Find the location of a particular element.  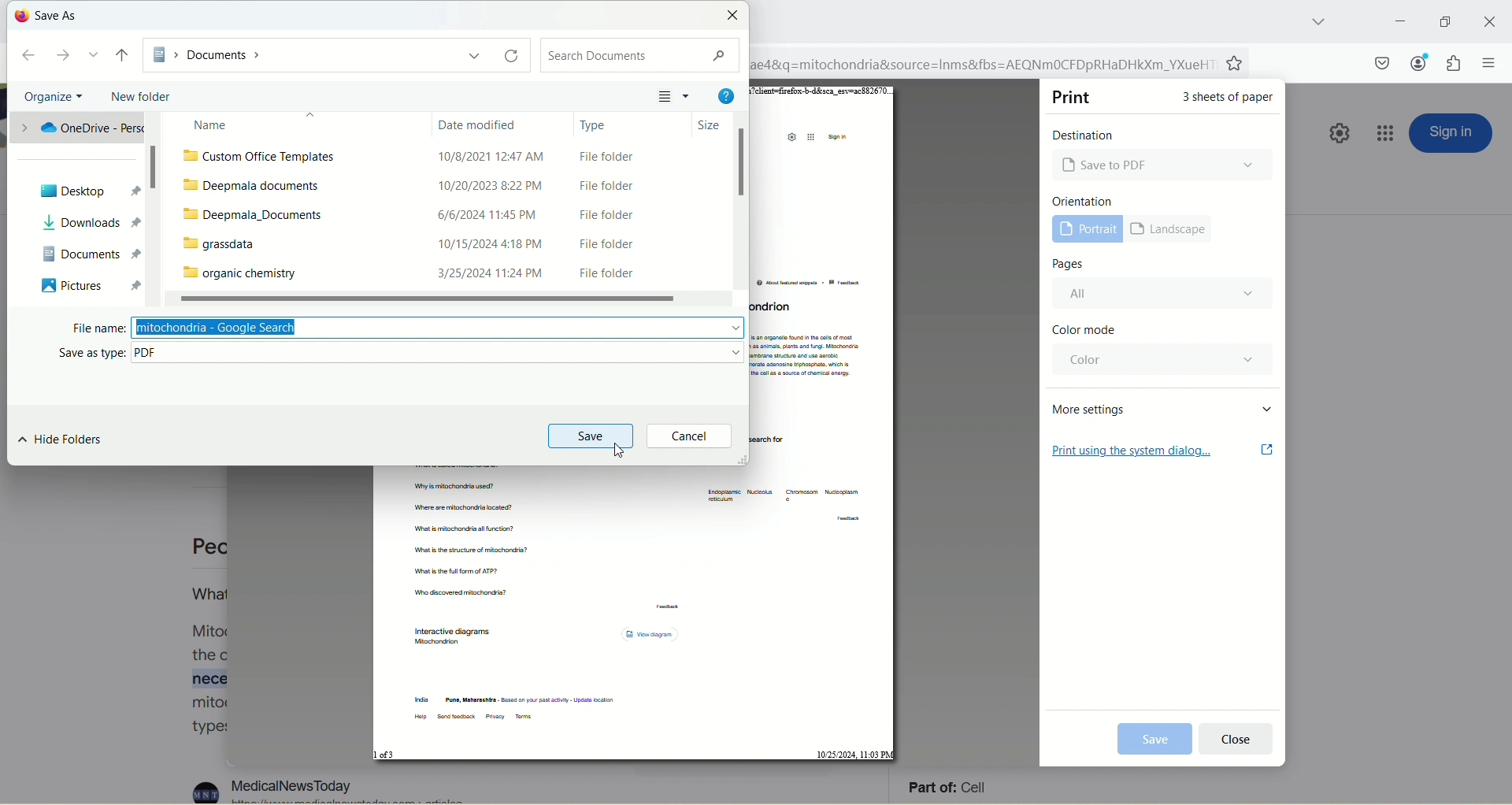

cancel is located at coordinates (691, 436).